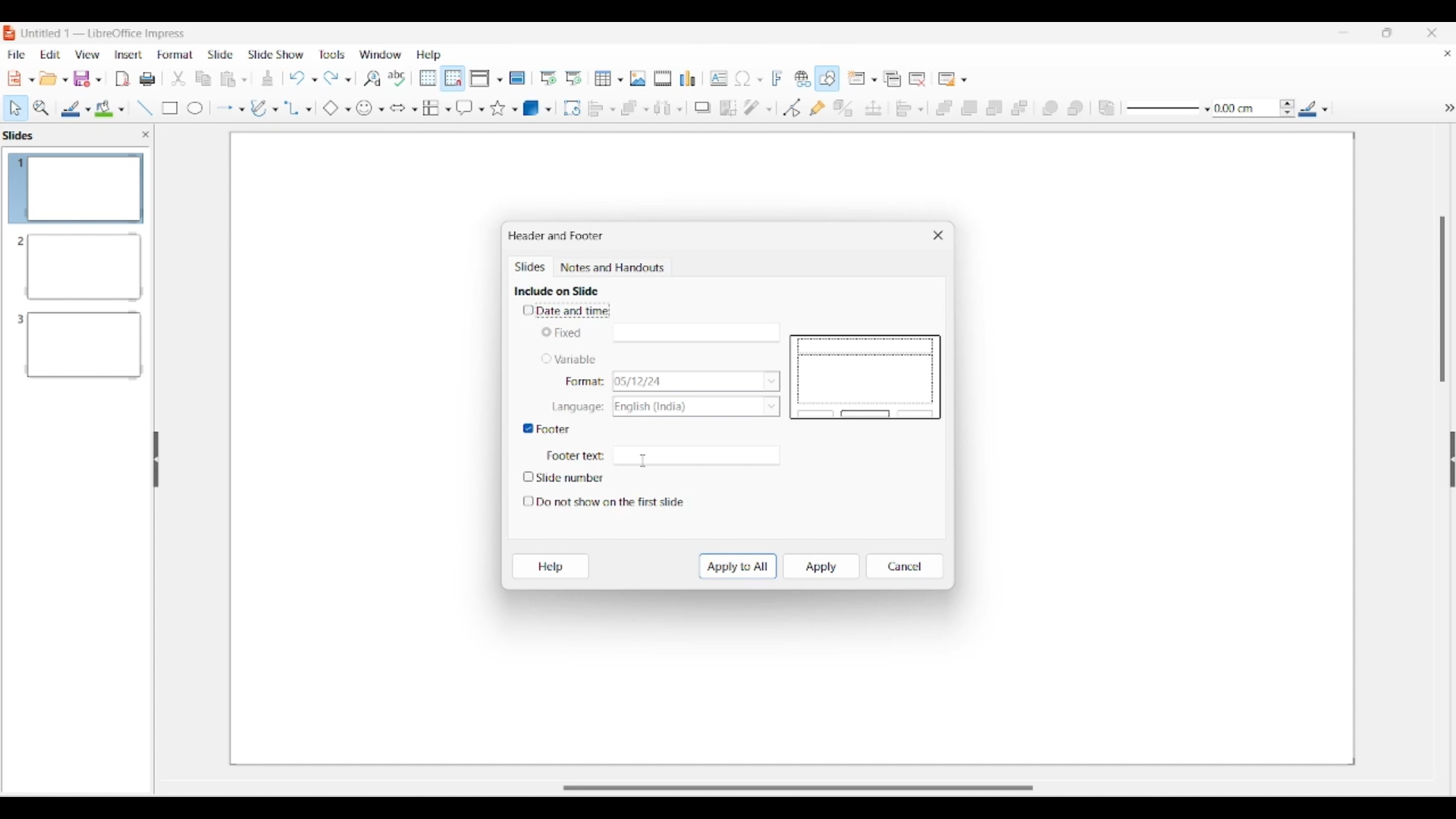 This screenshot has width=1456, height=819. What do you see at coordinates (687, 78) in the screenshot?
I see `Insert chart` at bounding box center [687, 78].